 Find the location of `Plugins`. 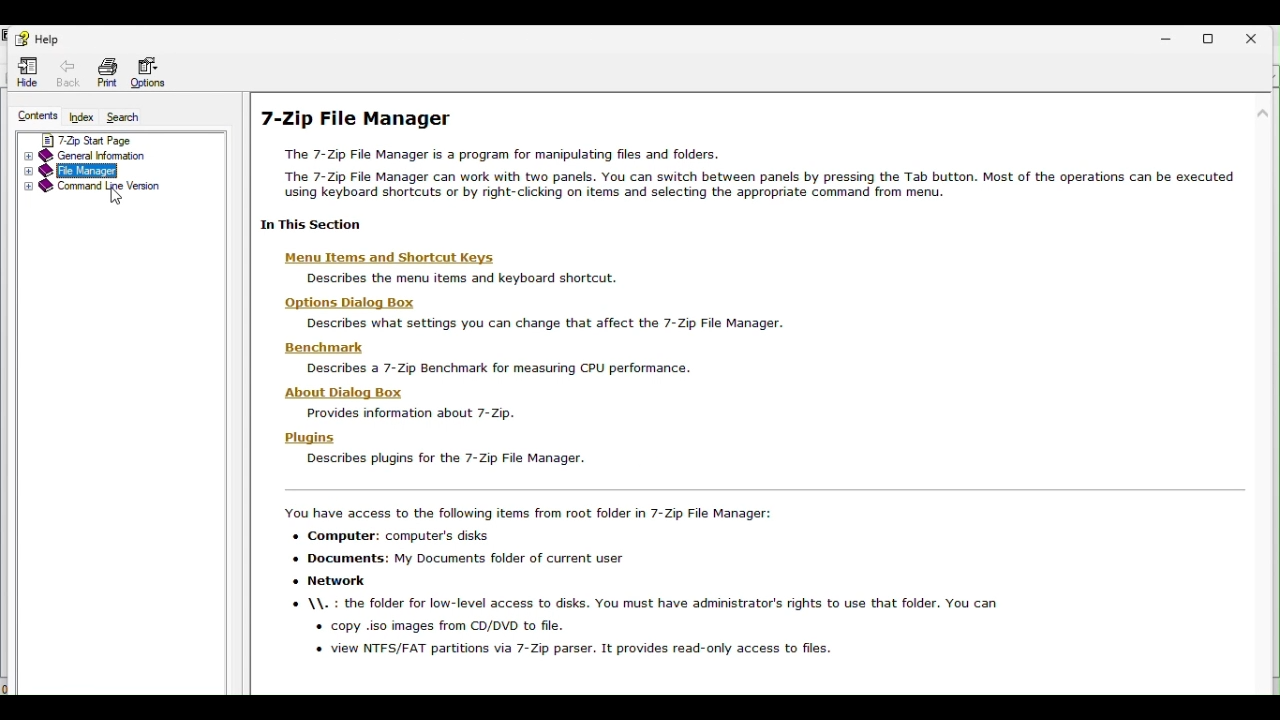

Plugins is located at coordinates (315, 438).